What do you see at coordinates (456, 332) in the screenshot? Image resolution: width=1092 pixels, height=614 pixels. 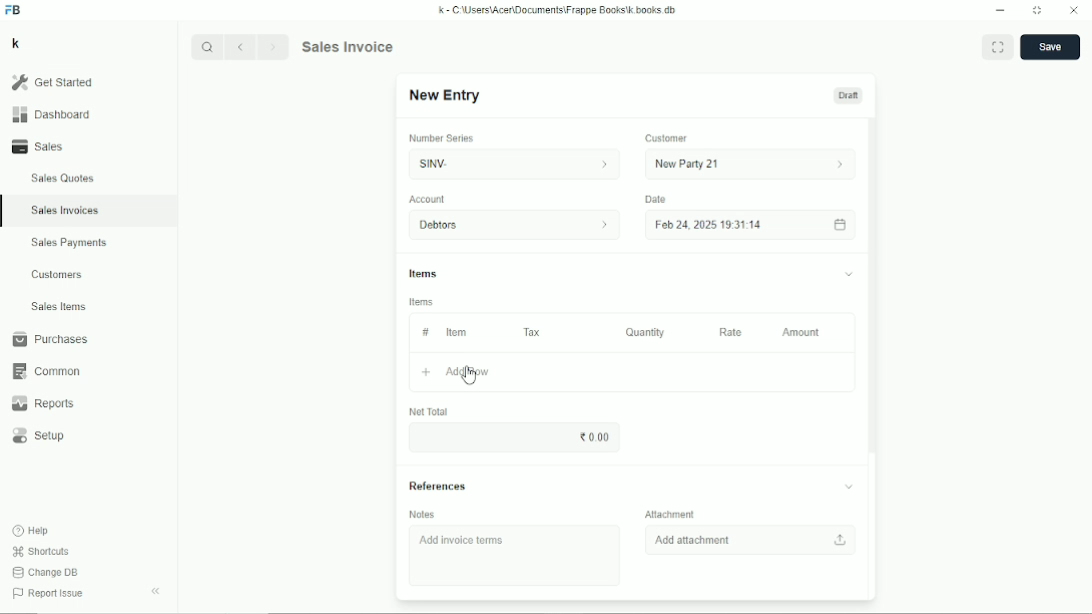 I see `Item` at bounding box center [456, 332].